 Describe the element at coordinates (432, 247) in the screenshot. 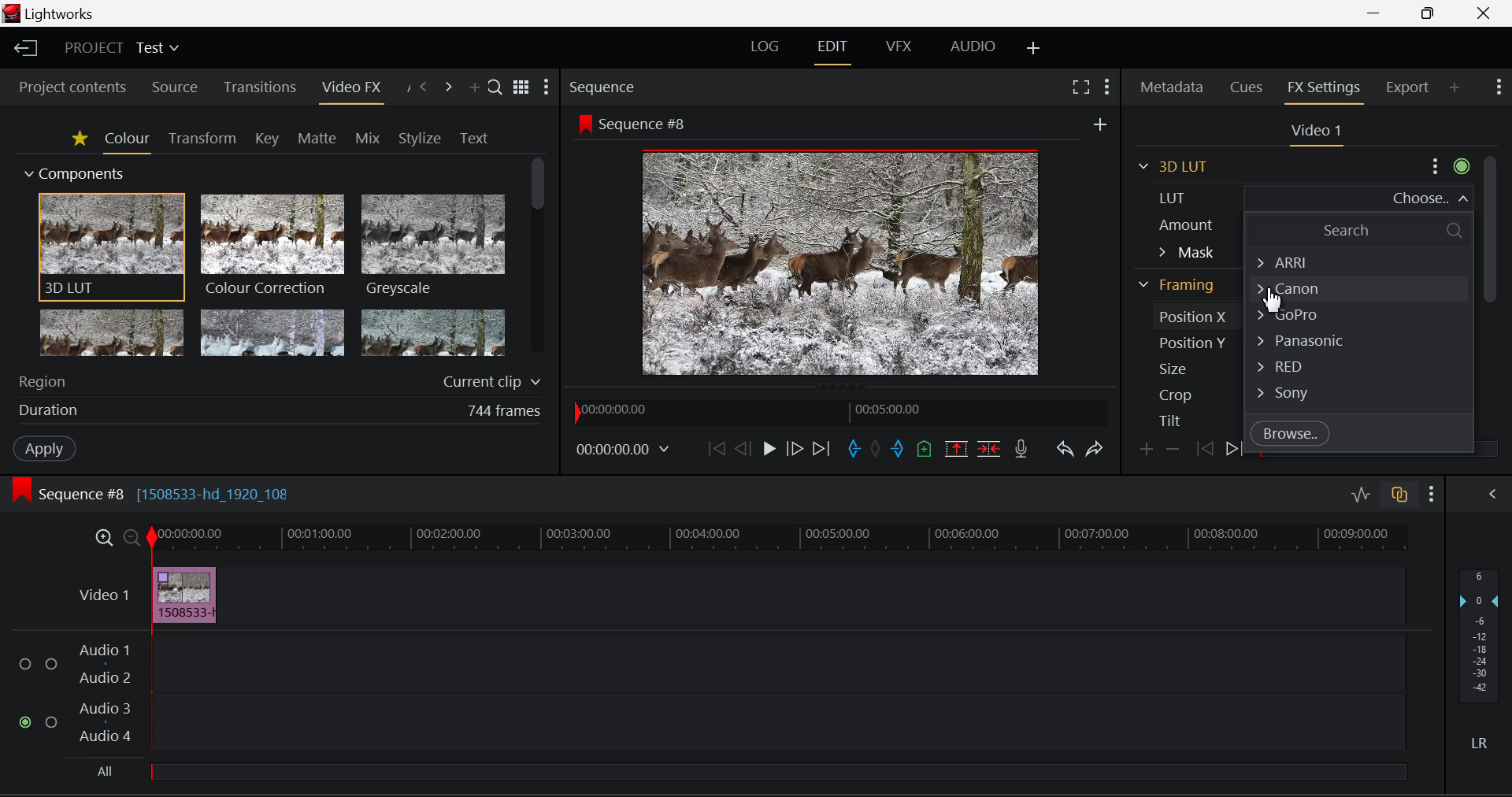

I see `Greyscale` at that location.